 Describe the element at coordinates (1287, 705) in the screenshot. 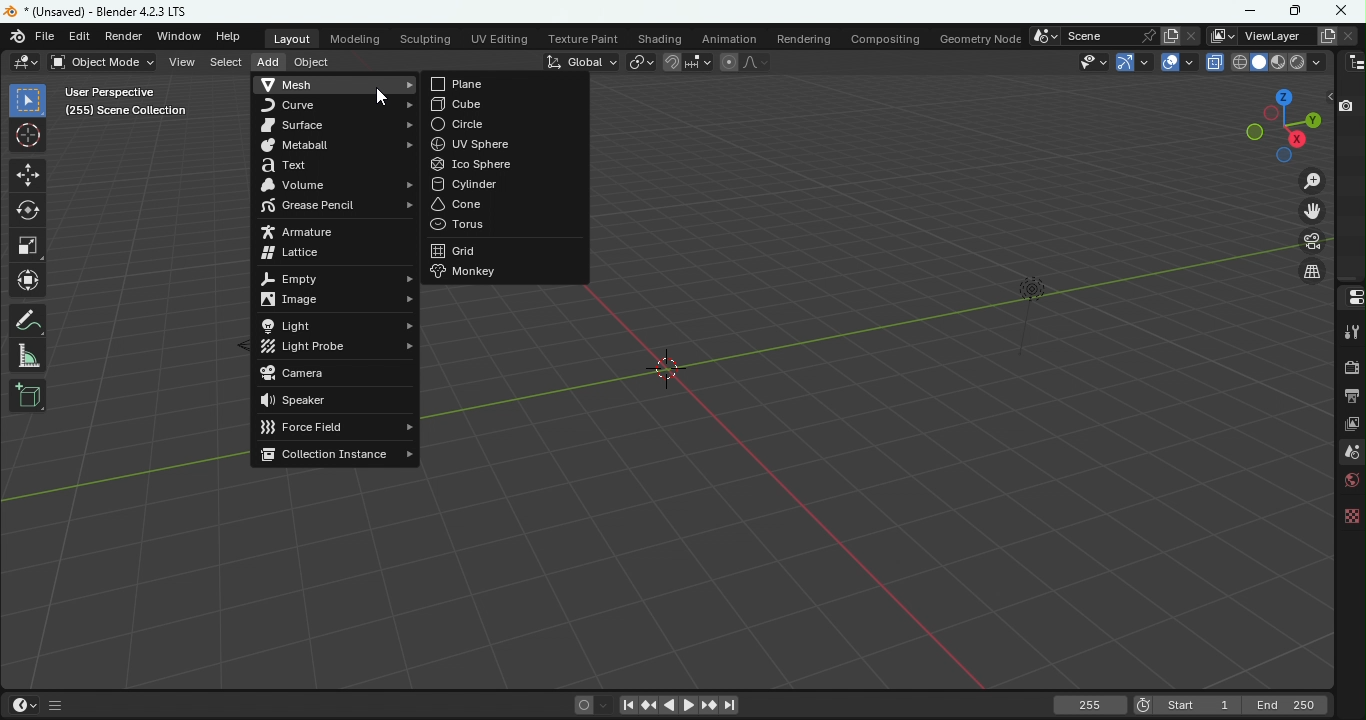

I see `Last frame of playback/rendering range` at that location.